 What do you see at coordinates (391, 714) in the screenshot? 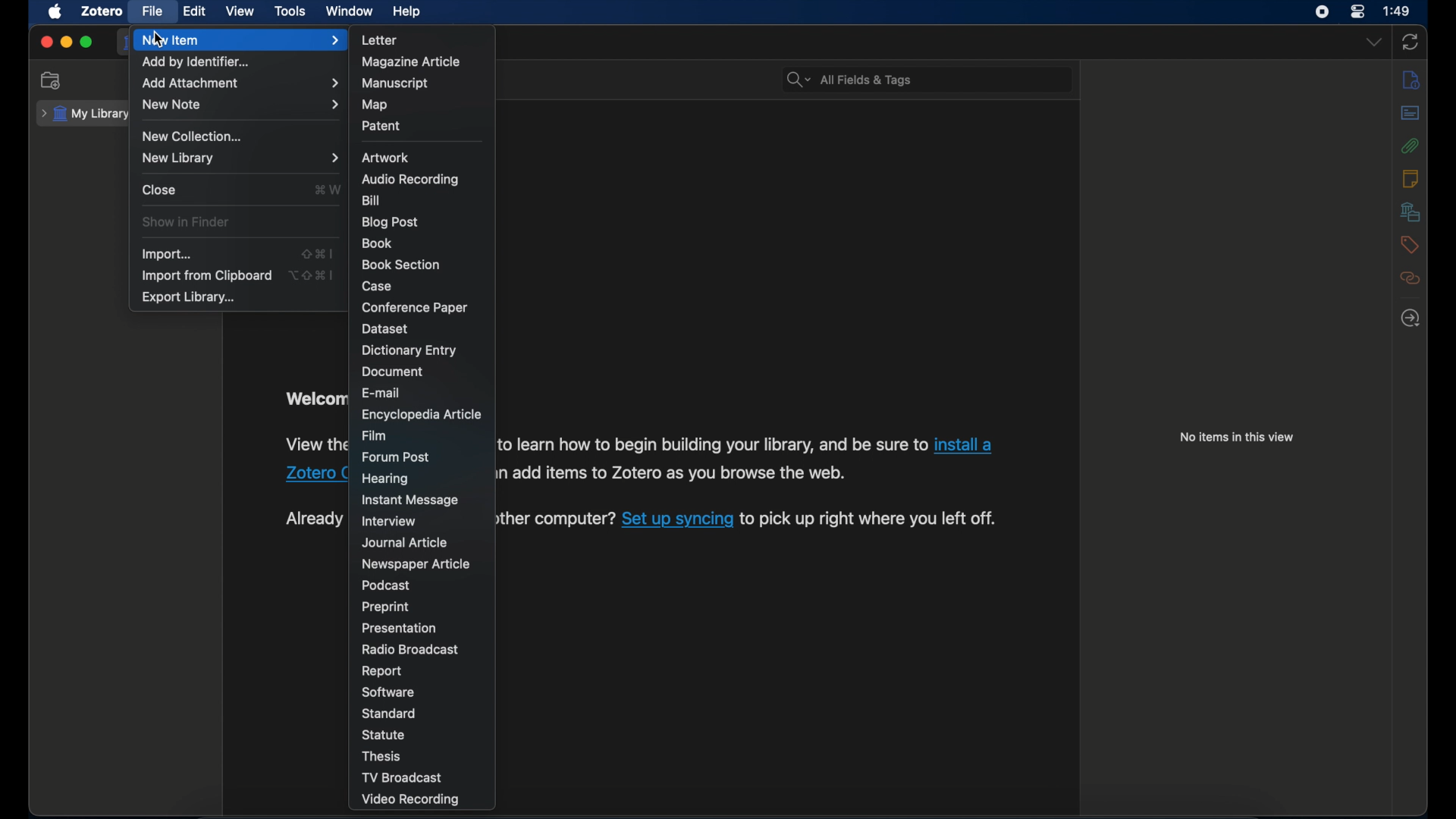
I see `standard` at bounding box center [391, 714].